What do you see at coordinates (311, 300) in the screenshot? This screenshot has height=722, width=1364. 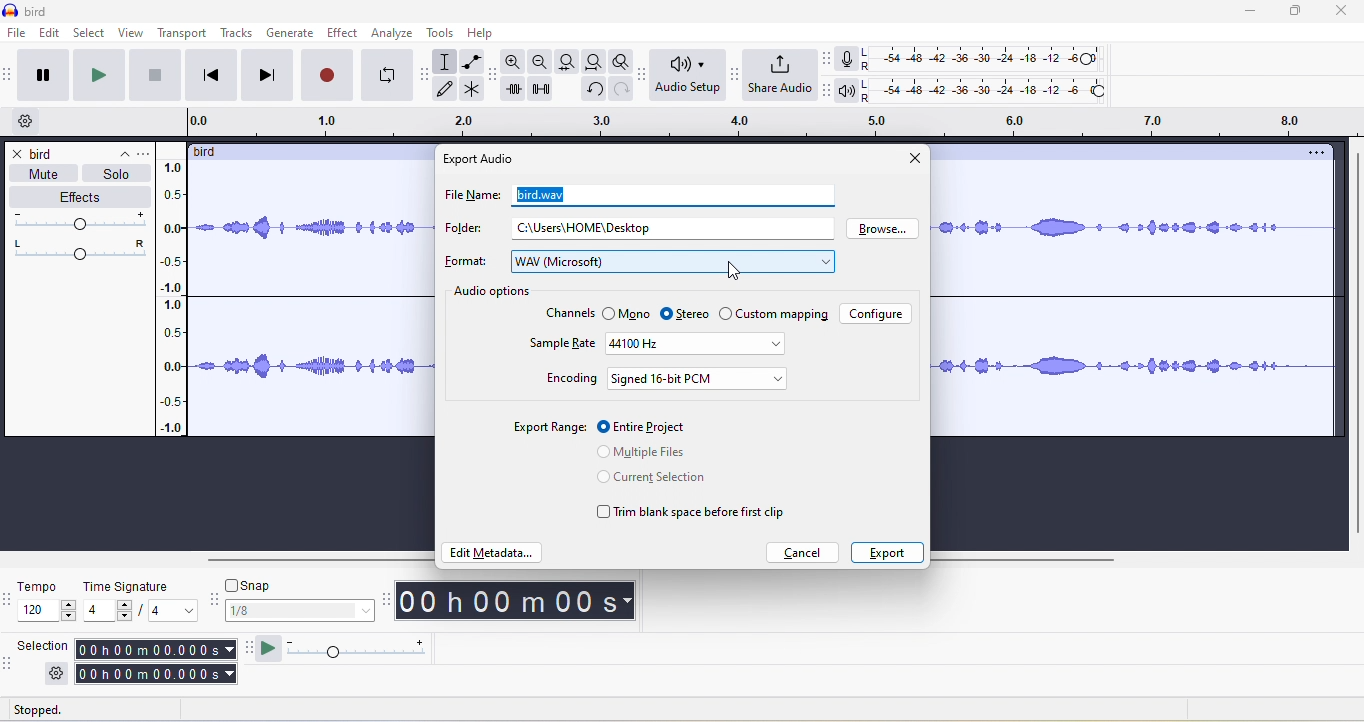 I see `audio track` at bounding box center [311, 300].